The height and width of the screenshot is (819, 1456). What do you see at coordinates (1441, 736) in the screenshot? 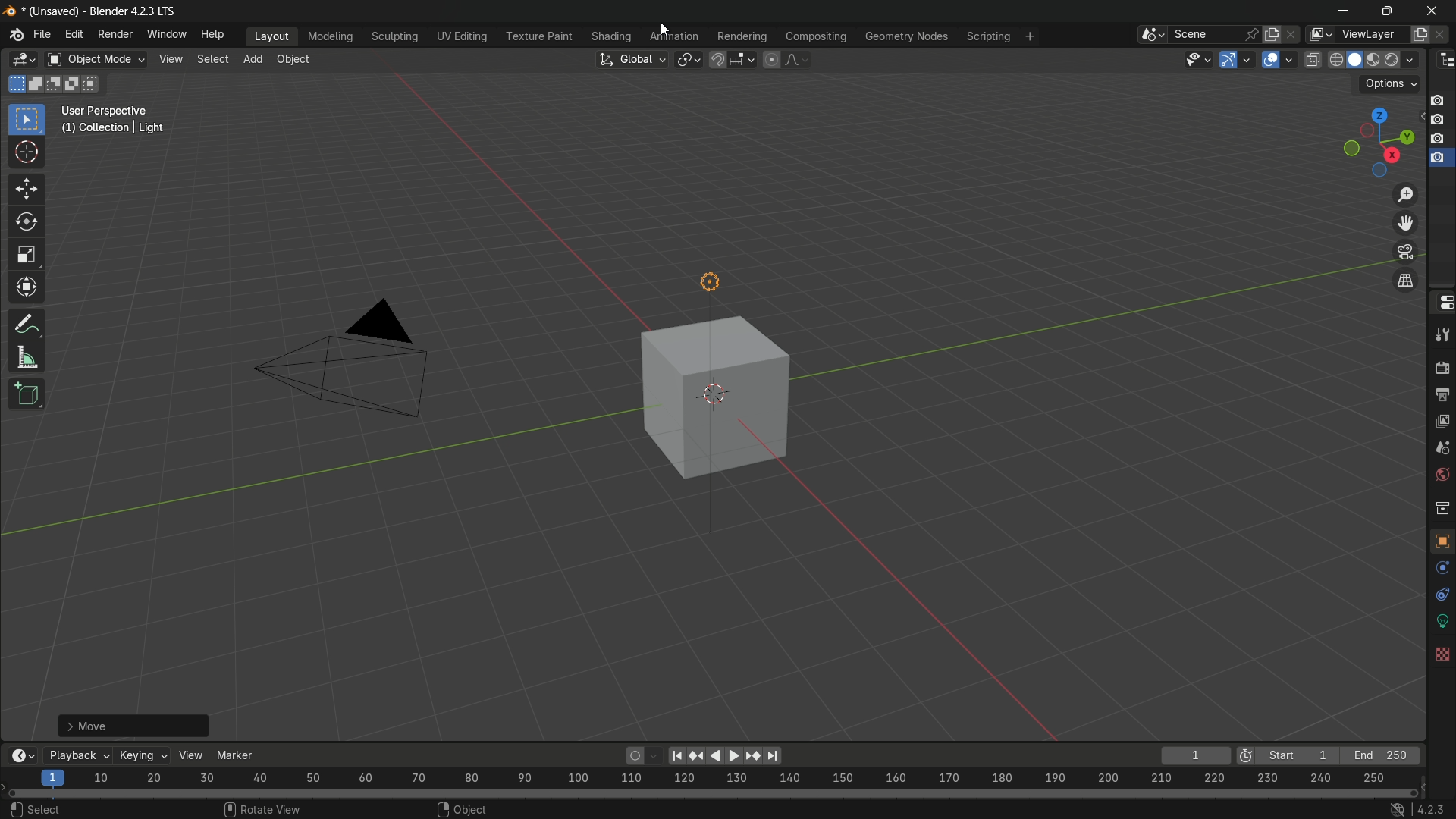
I see `texture` at bounding box center [1441, 736].